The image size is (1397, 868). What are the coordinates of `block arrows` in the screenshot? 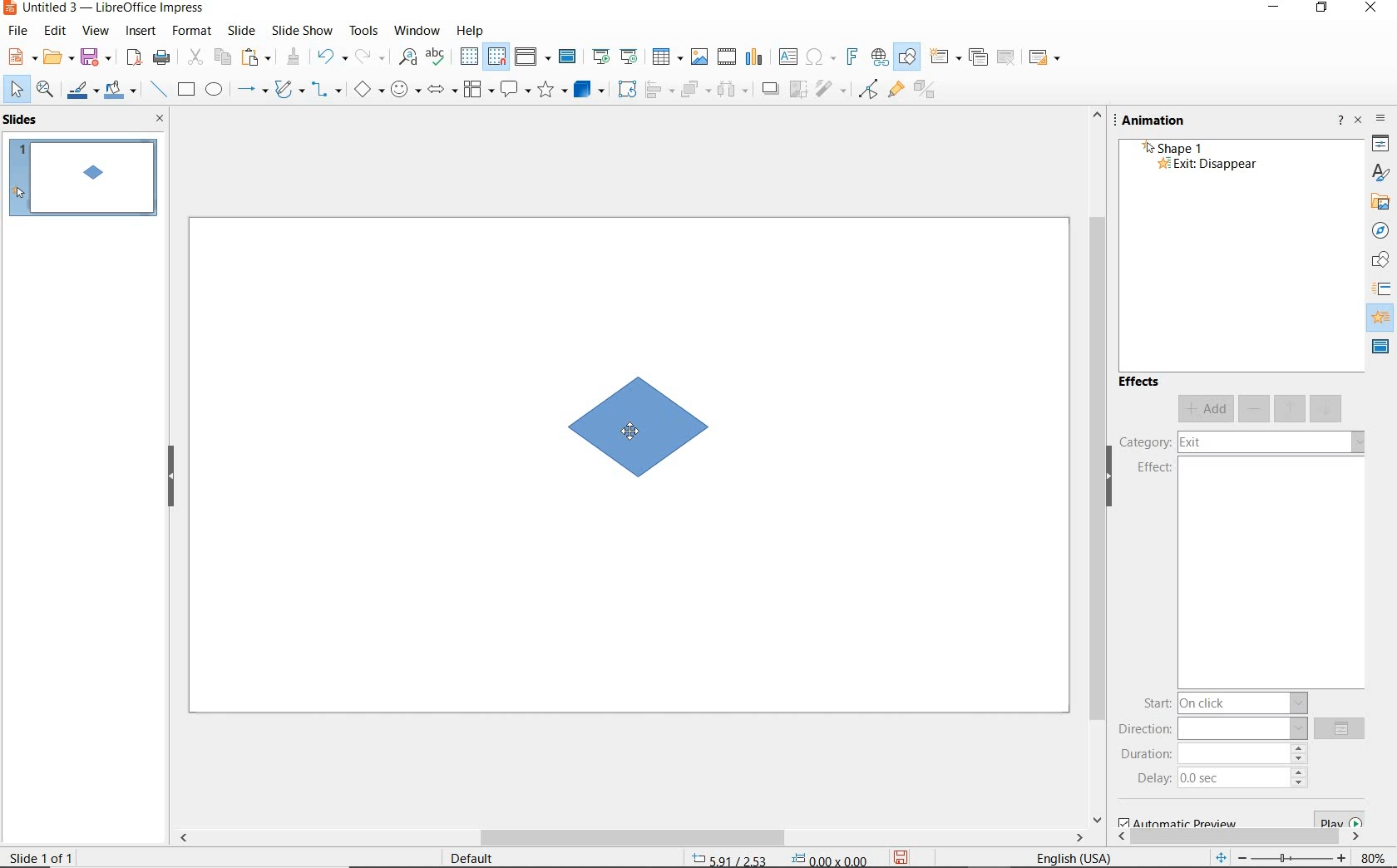 It's located at (443, 91).